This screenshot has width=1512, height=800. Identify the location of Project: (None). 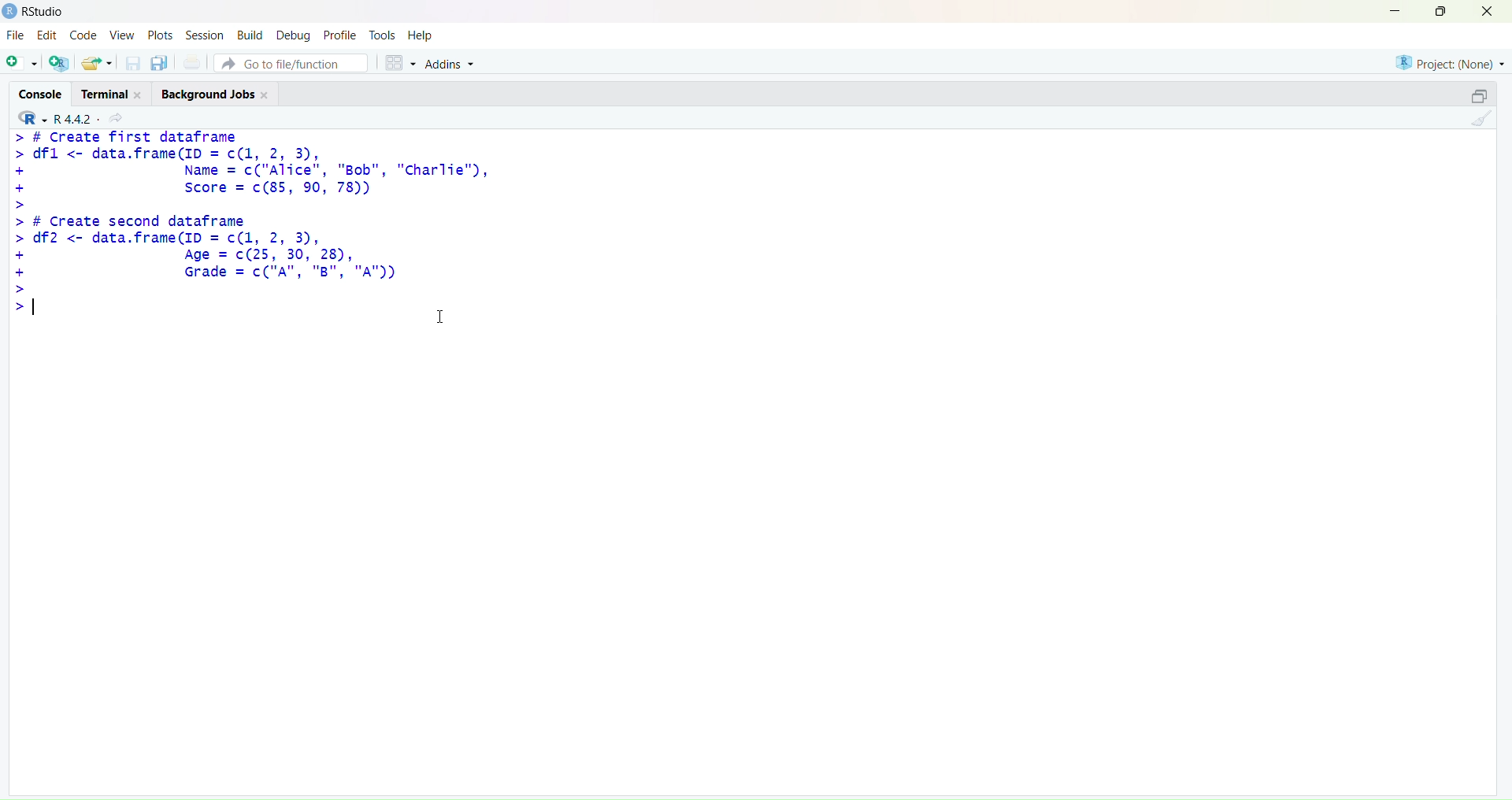
(1451, 62).